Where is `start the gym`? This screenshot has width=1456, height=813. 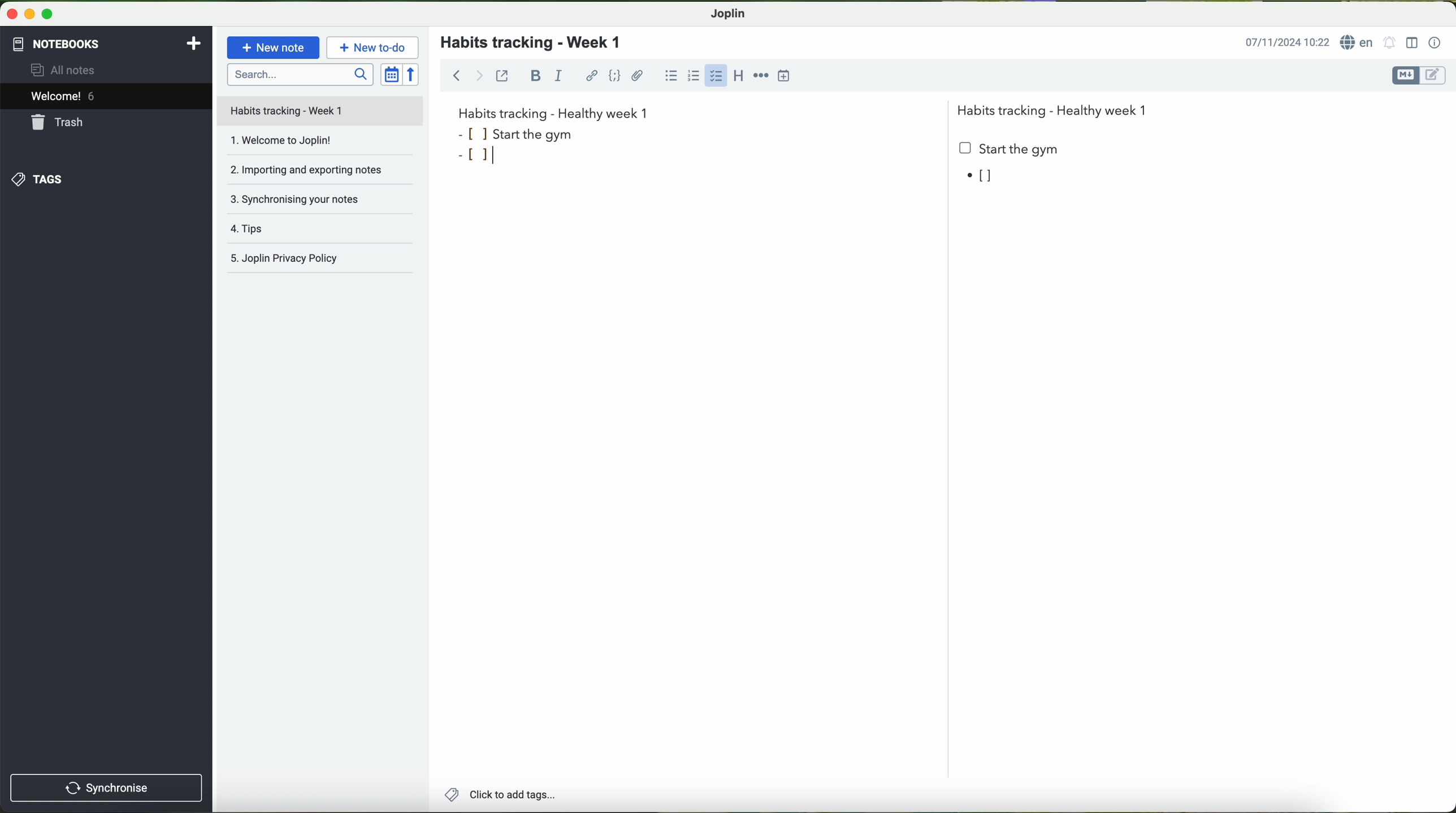 start the gym is located at coordinates (518, 133).